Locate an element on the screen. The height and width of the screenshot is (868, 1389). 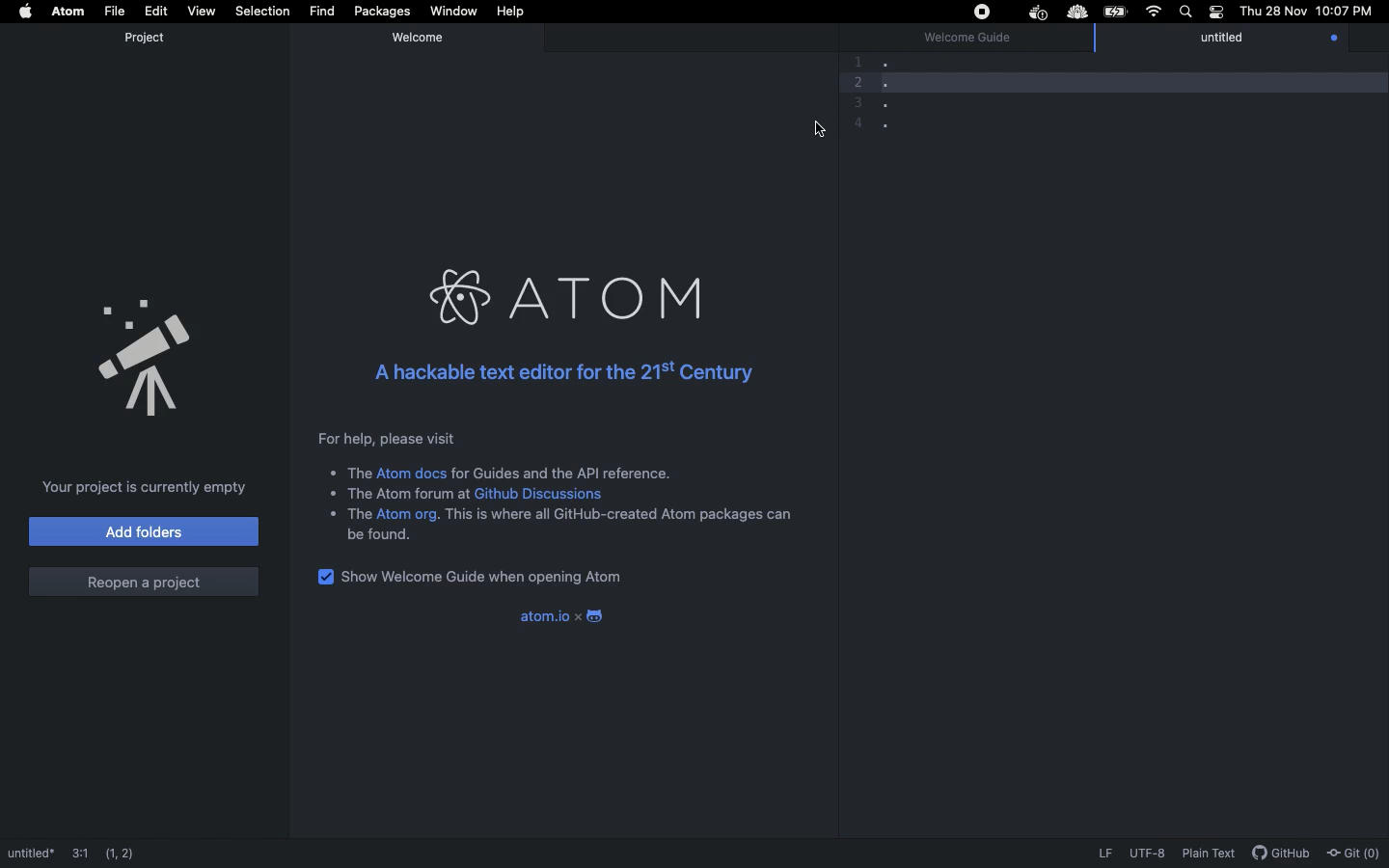
Welcome is located at coordinates (422, 37).